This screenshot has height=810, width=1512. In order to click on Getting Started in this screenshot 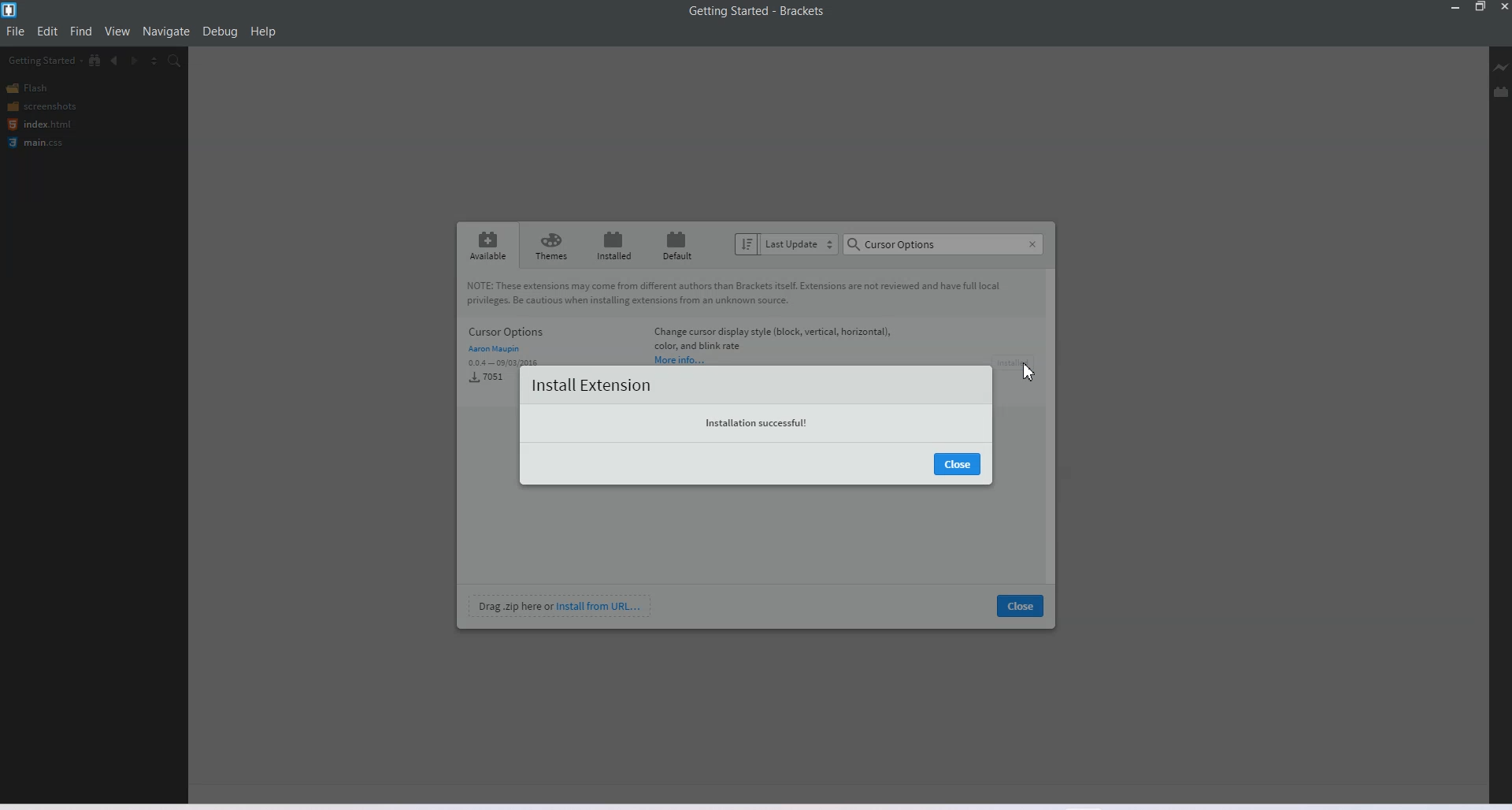, I will do `click(45, 60)`.